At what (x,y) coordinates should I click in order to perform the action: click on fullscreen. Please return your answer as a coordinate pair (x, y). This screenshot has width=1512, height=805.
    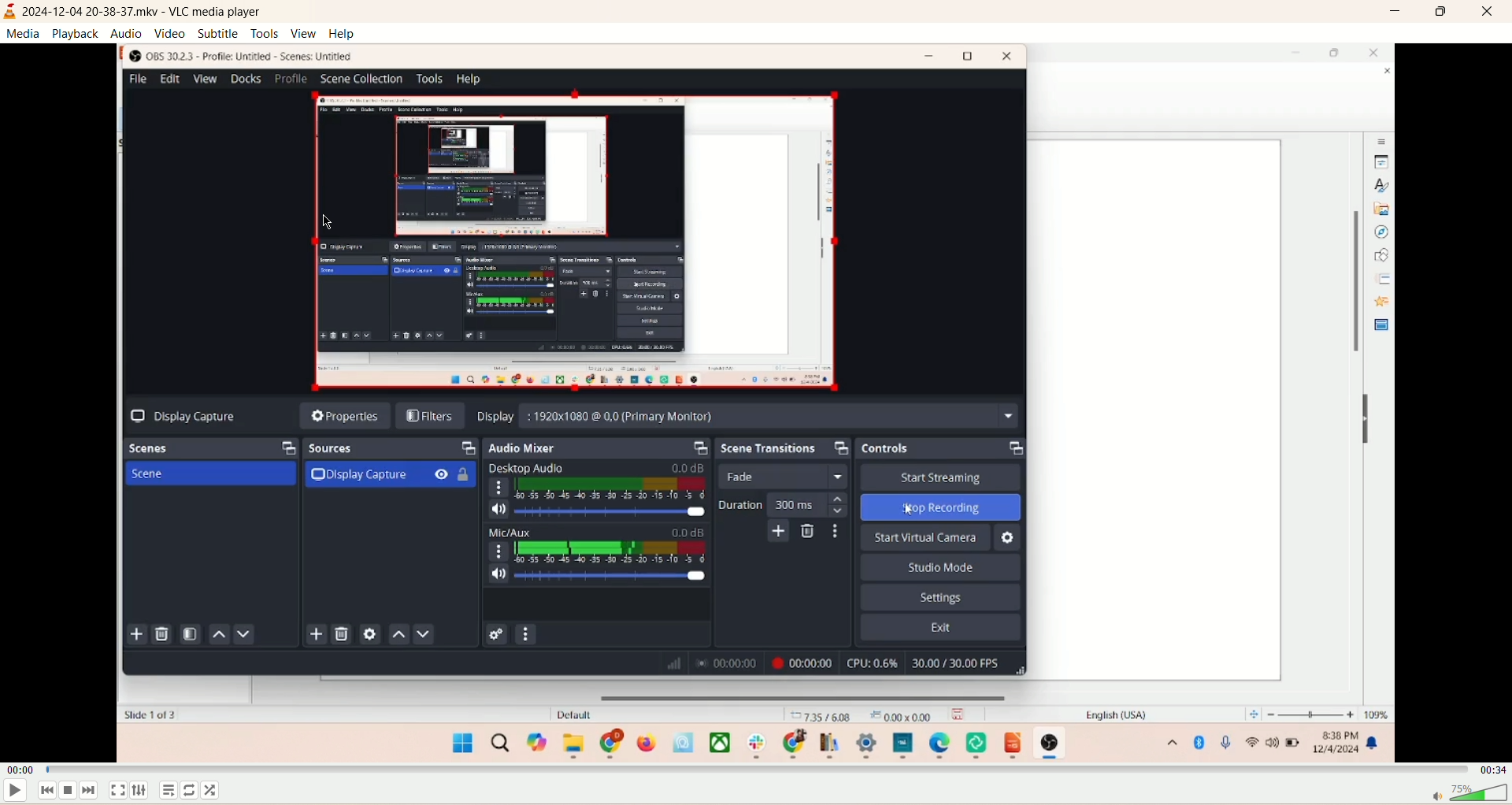
    Looking at the image, I should click on (119, 790).